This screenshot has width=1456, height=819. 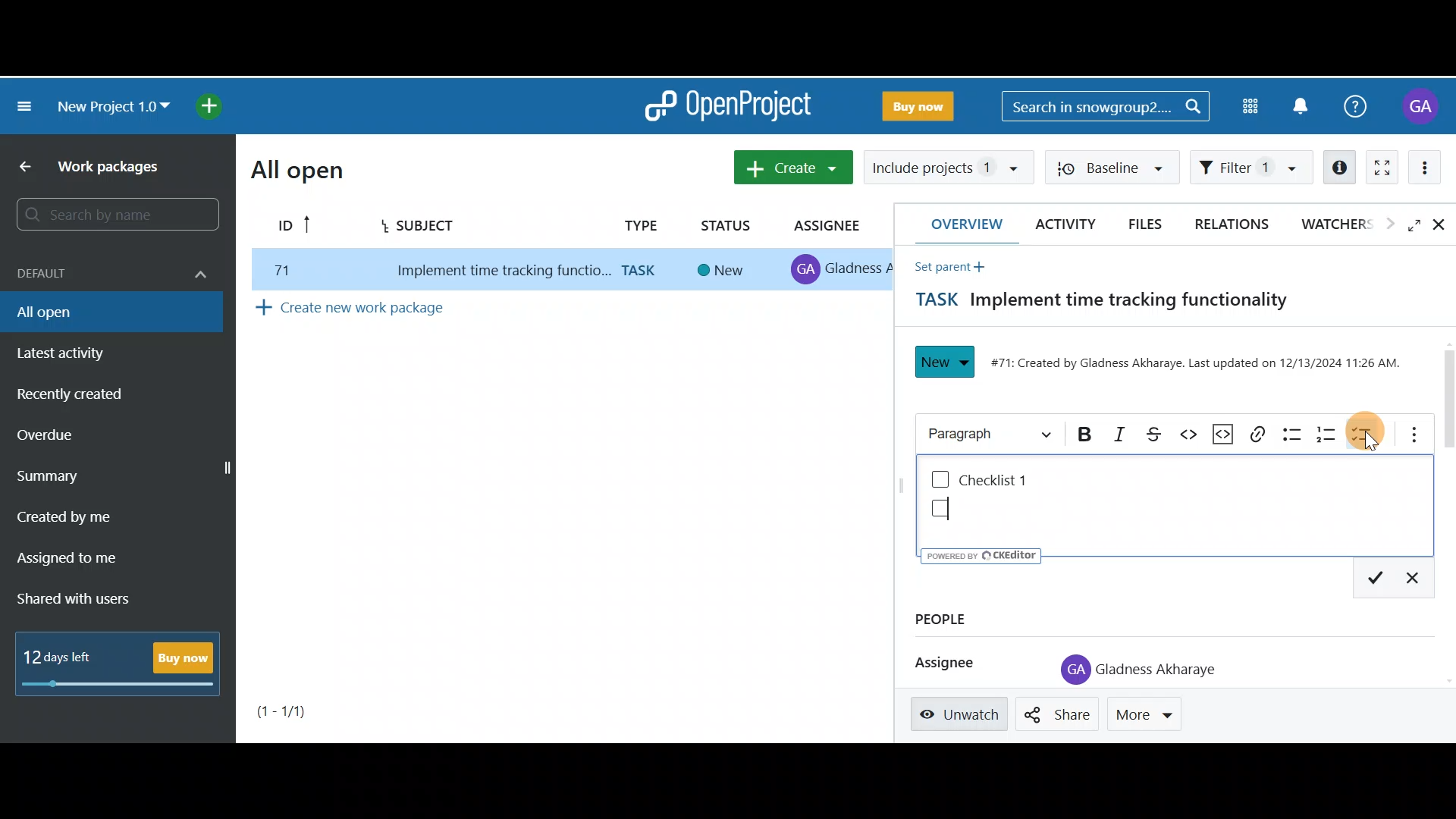 I want to click on profile icon, so click(x=807, y=270).